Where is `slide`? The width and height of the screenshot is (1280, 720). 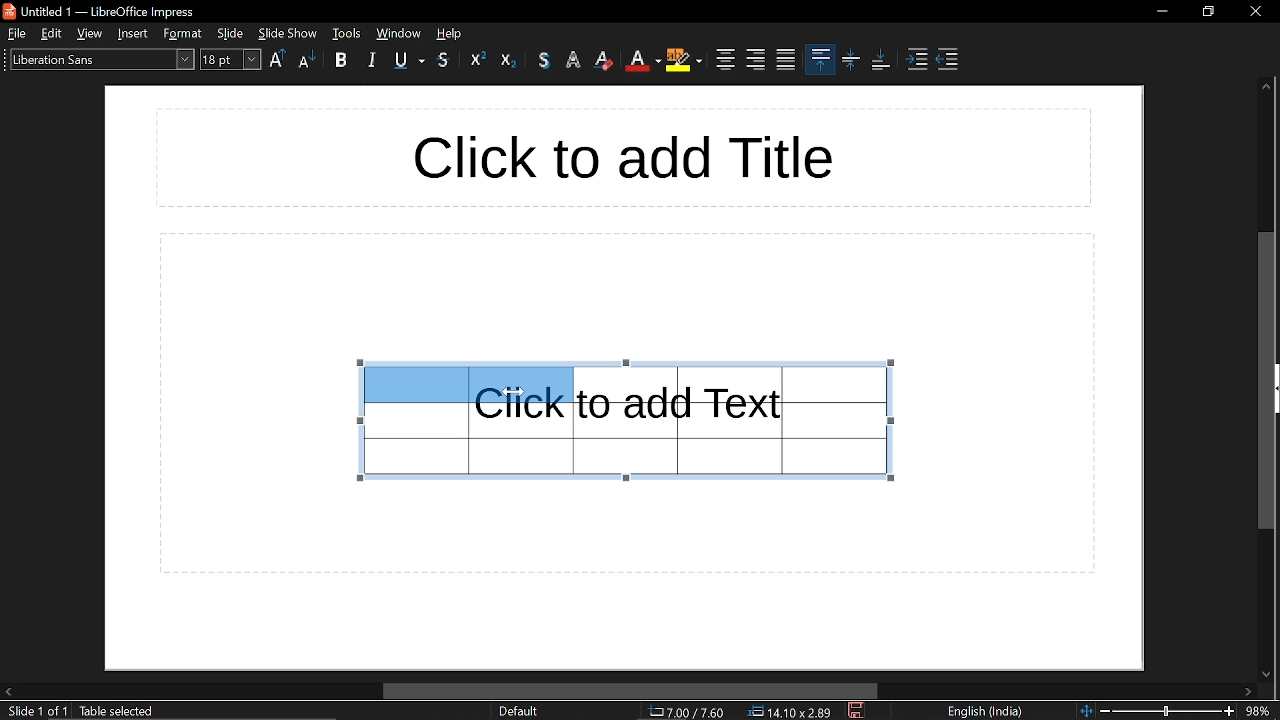
slide is located at coordinates (231, 33).